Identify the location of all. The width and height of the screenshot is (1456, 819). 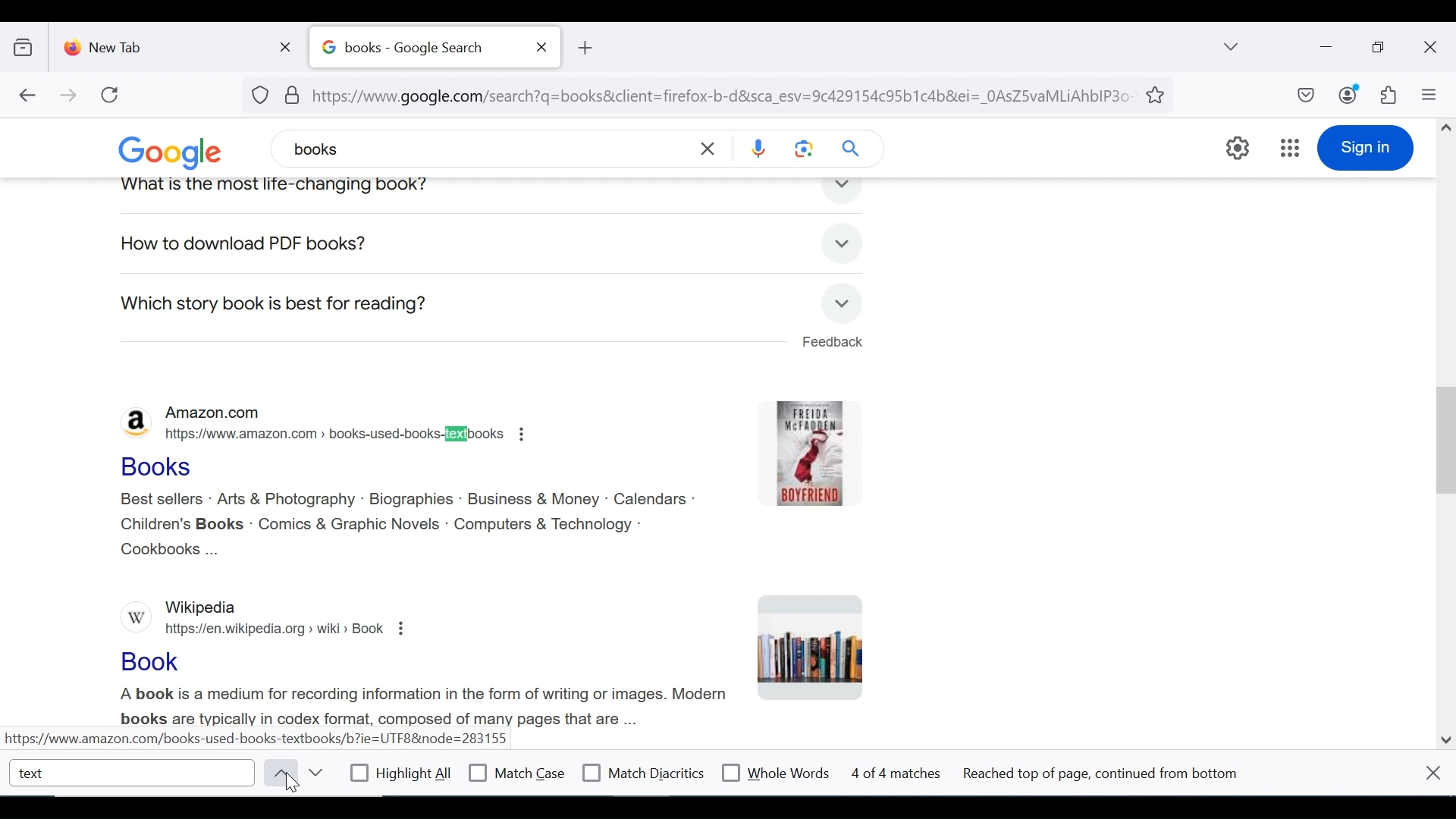
(131, 246).